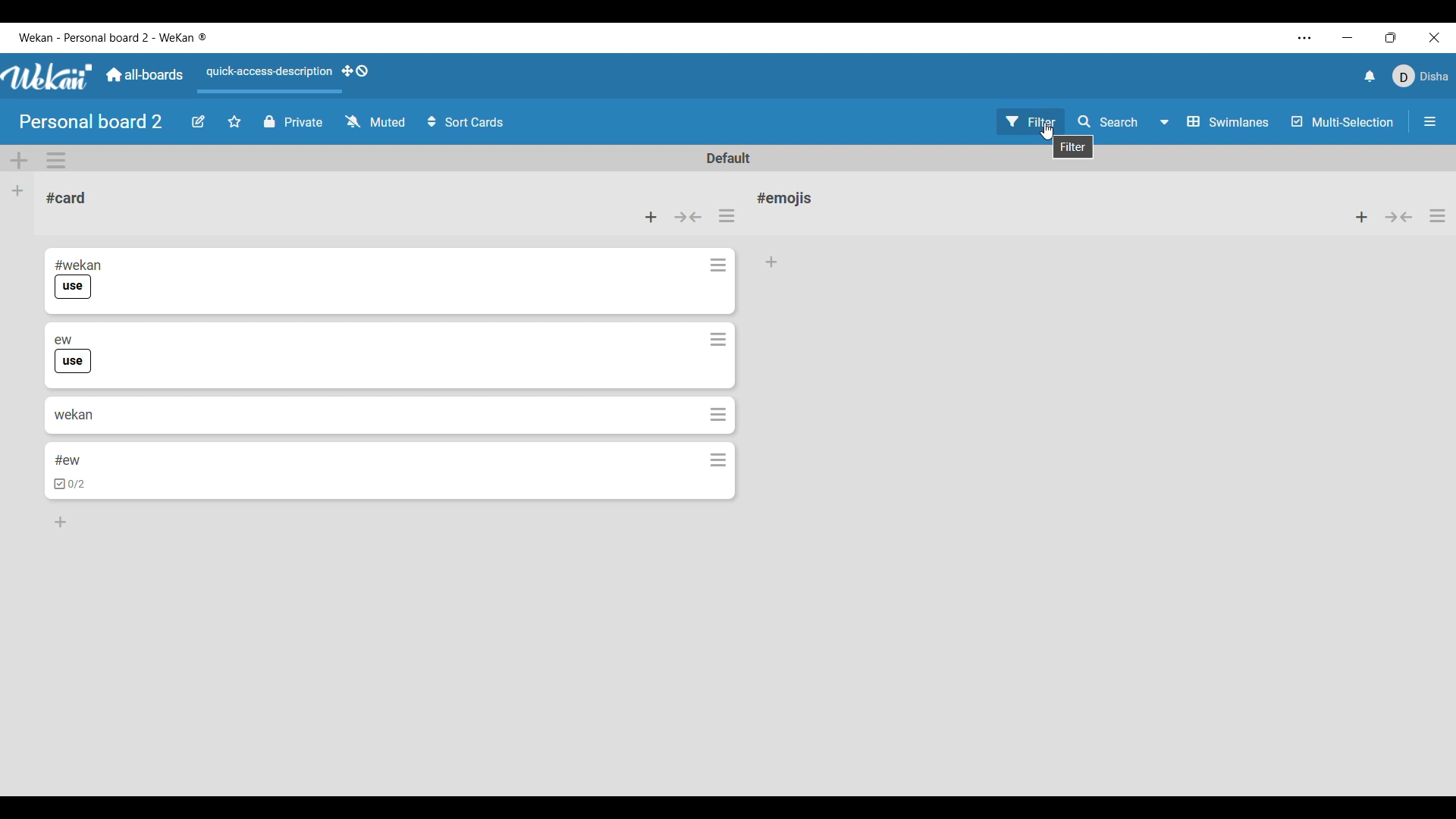 The image size is (1456, 819). I want to click on Add list, so click(17, 191).